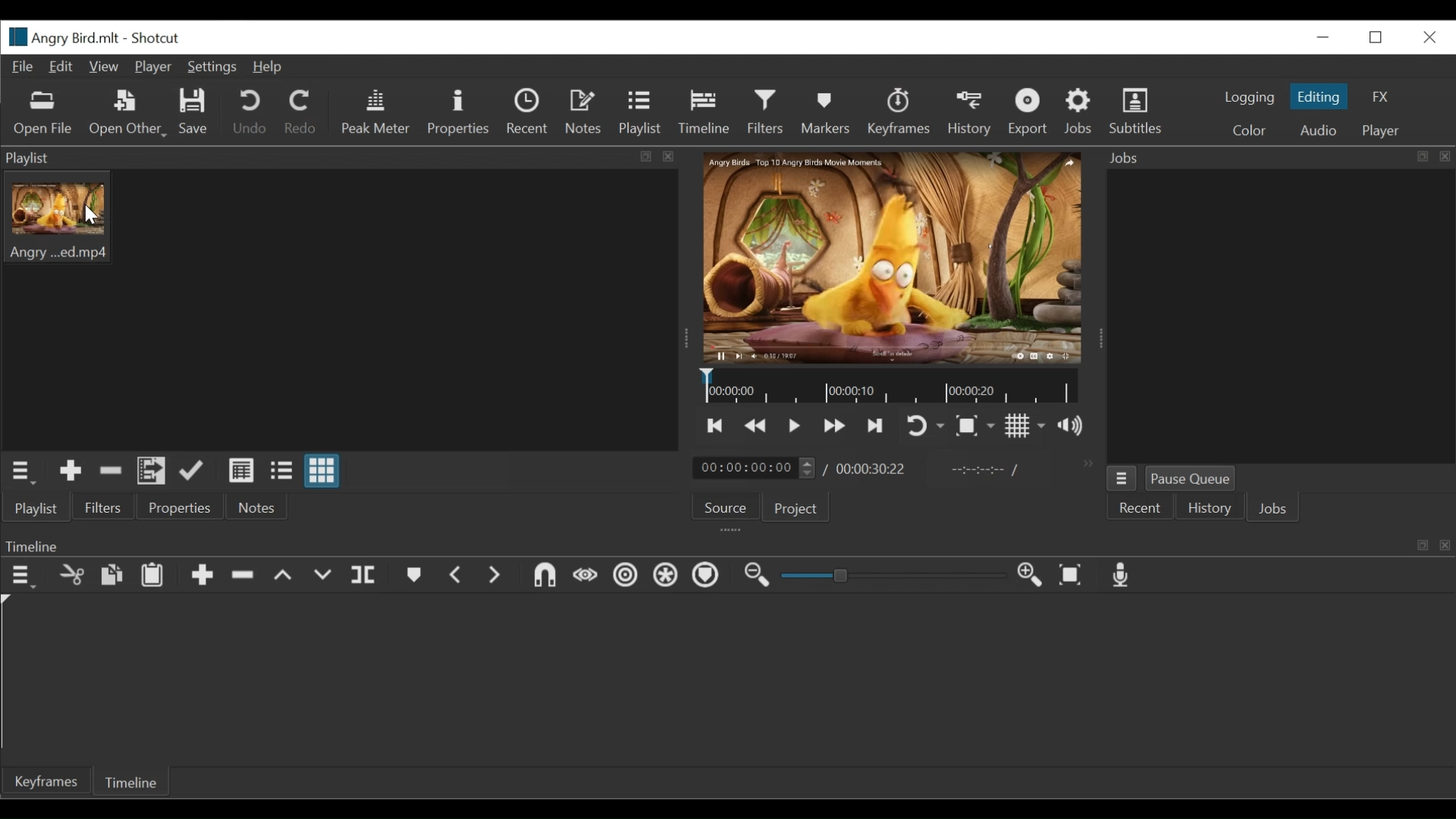 The image size is (1456, 819). Describe the element at coordinates (45, 114) in the screenshot. I see `Open Files` at that location.